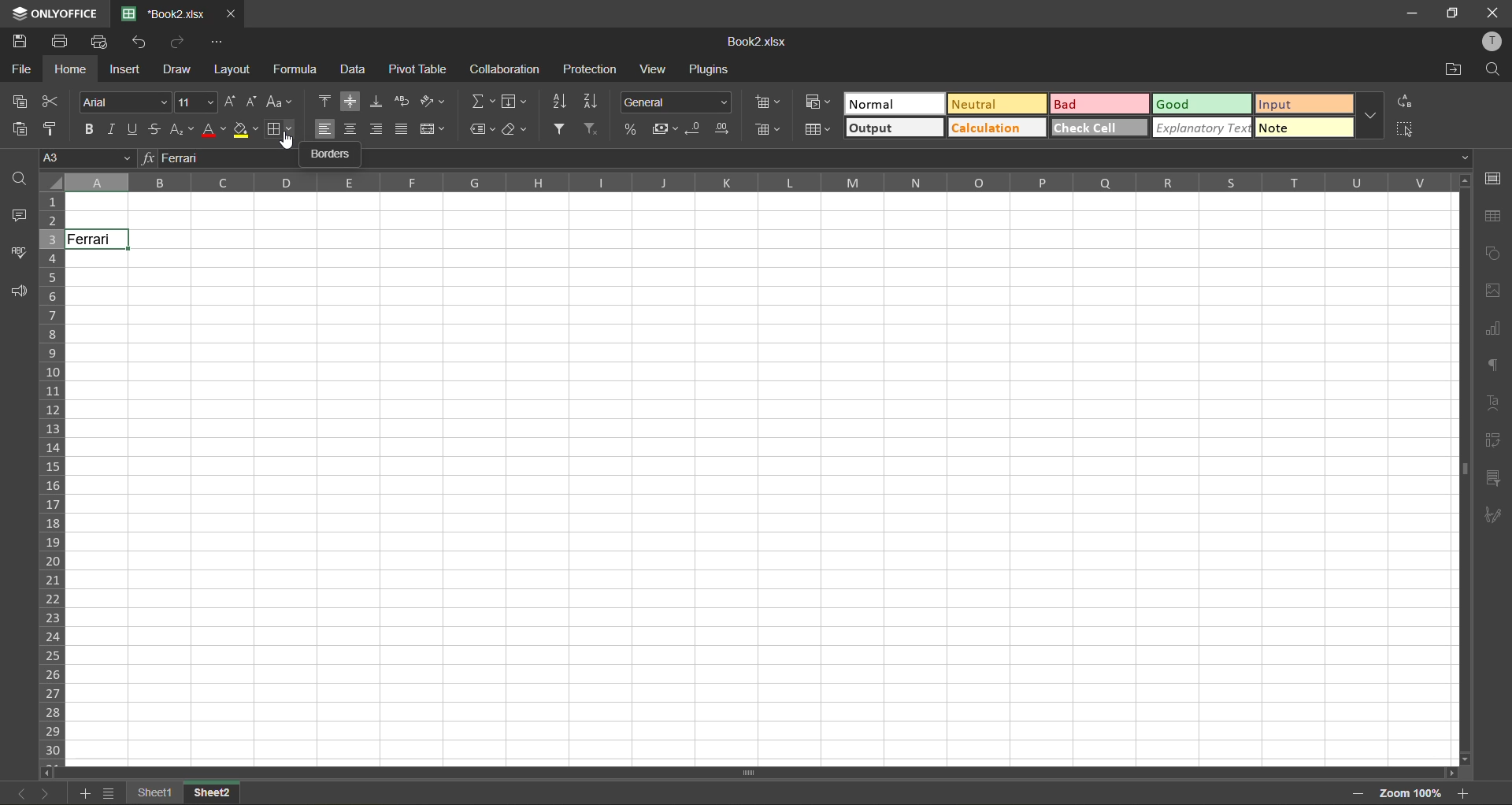  Describe the element at coordinates (86, 157) in the screenshot. I see `cell address` at that location.